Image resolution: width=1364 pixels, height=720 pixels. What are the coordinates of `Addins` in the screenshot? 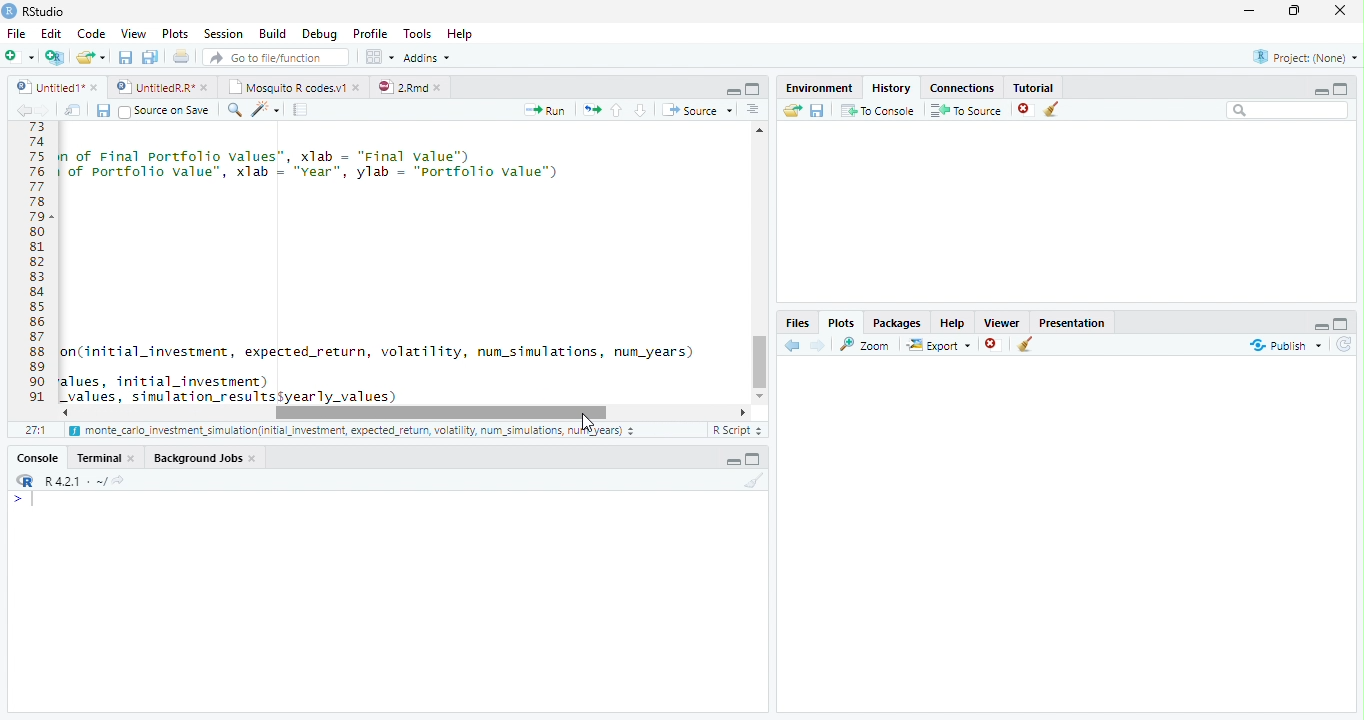 It's located at (428, 57).